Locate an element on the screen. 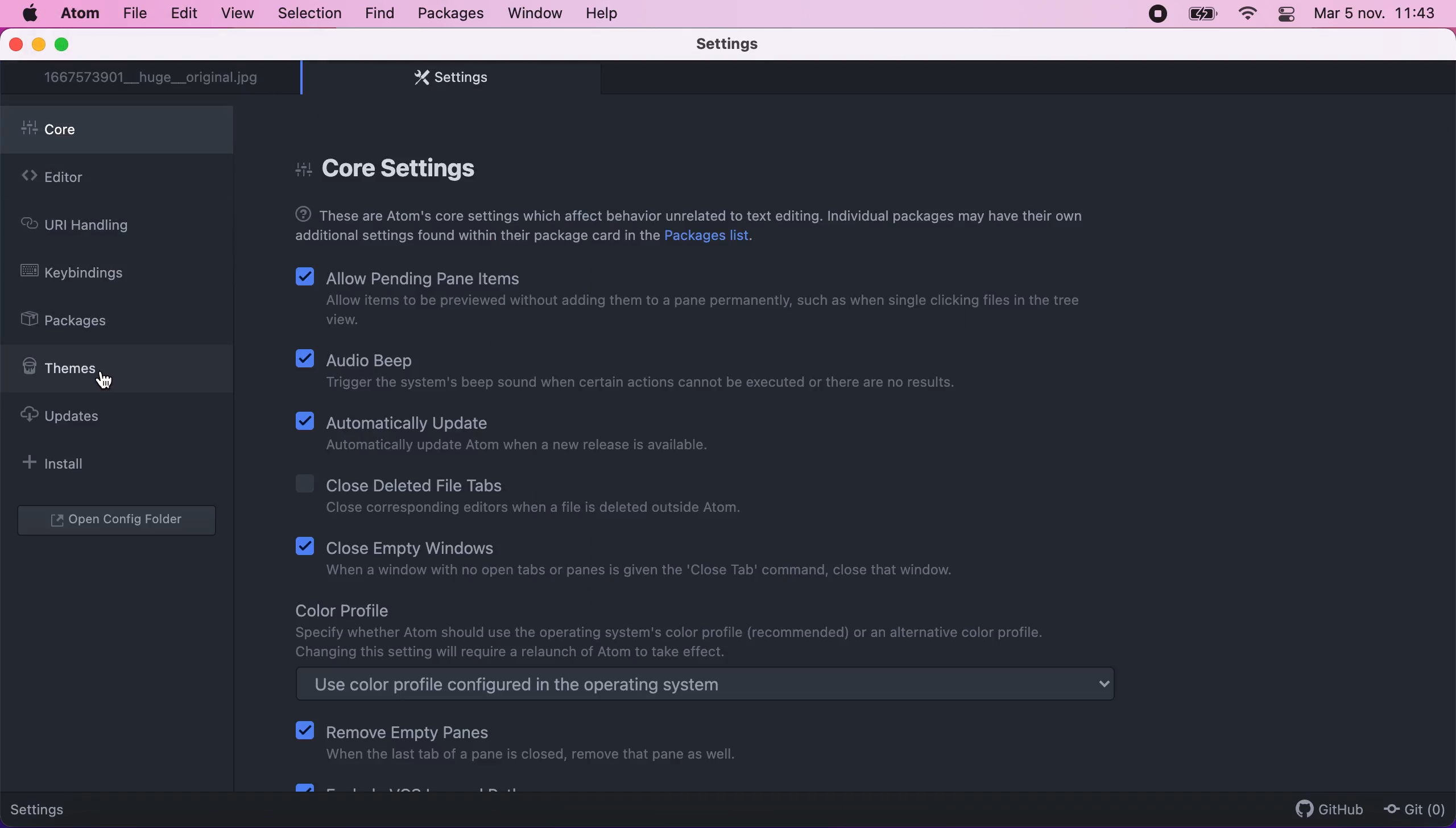 Image resolution: width=1456 pixels, height=828 pixels. view is located at coordinates (235, 15).